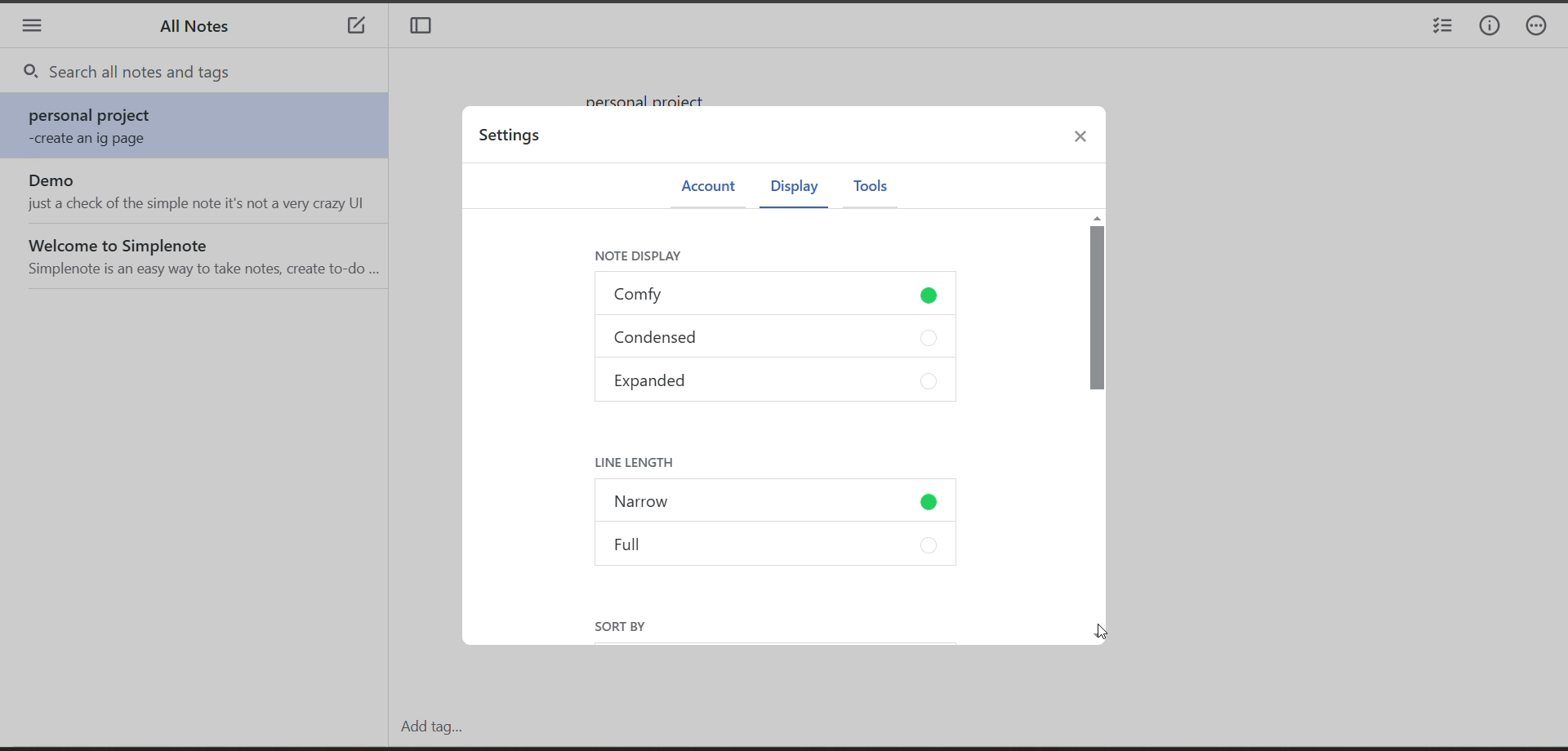  What do you see at coordinates (1490, 27) in the screenshot?
I see `infor` at bounding box center [1490, 27].